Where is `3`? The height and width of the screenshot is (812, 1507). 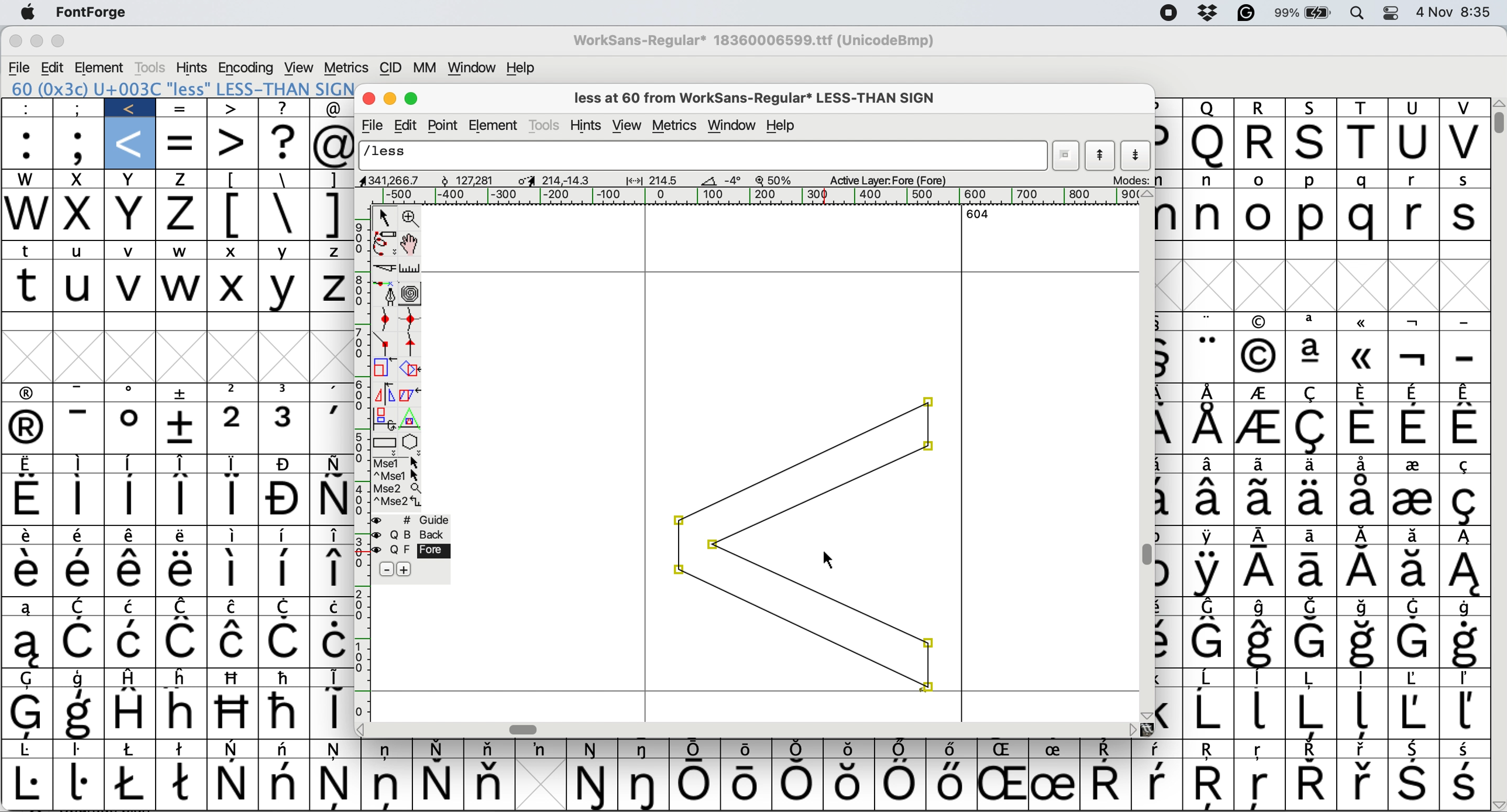 3 is located at coordinates (285, 390).